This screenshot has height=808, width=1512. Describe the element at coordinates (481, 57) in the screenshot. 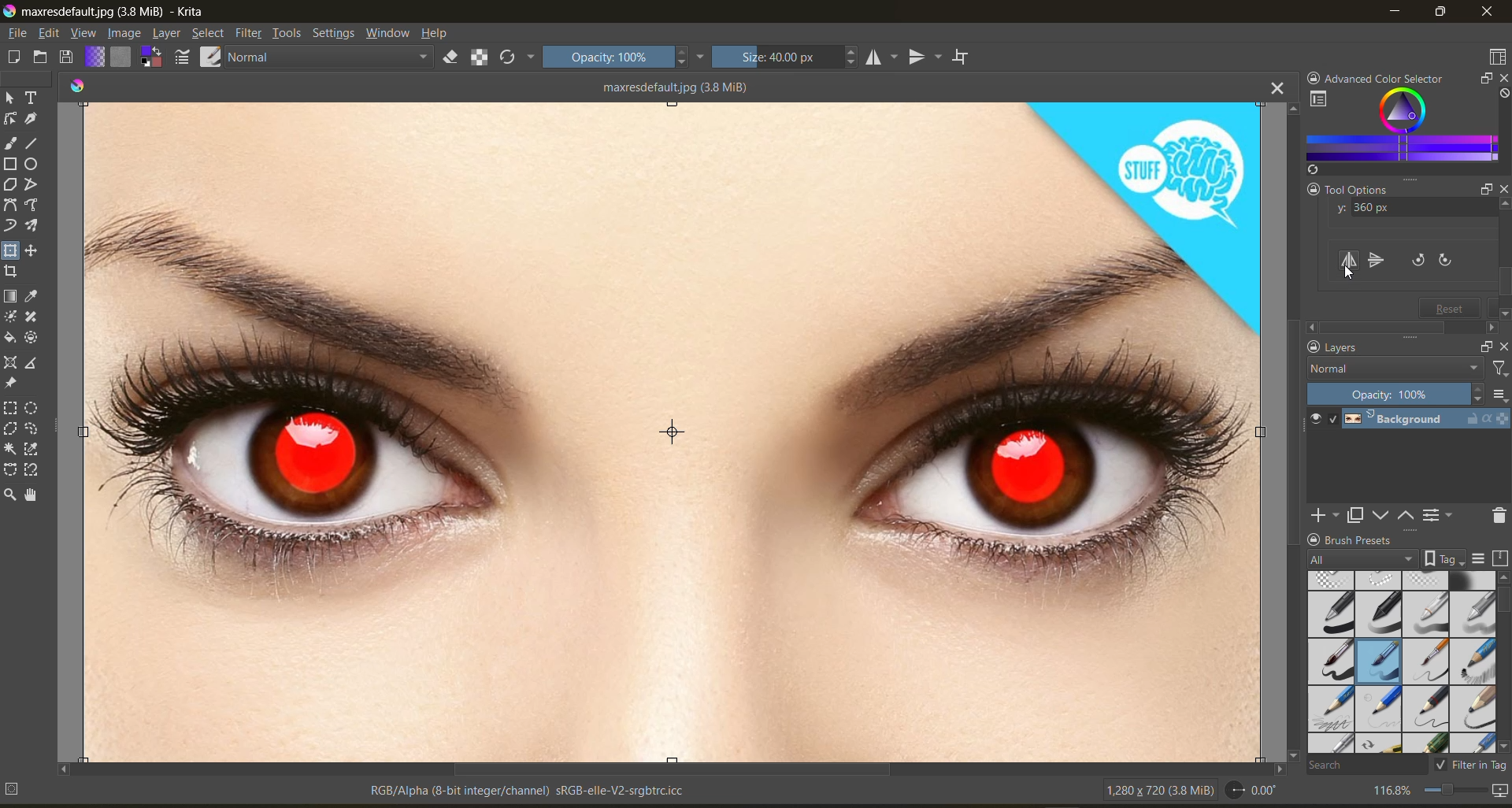

I see `preserve alpha` at that location.